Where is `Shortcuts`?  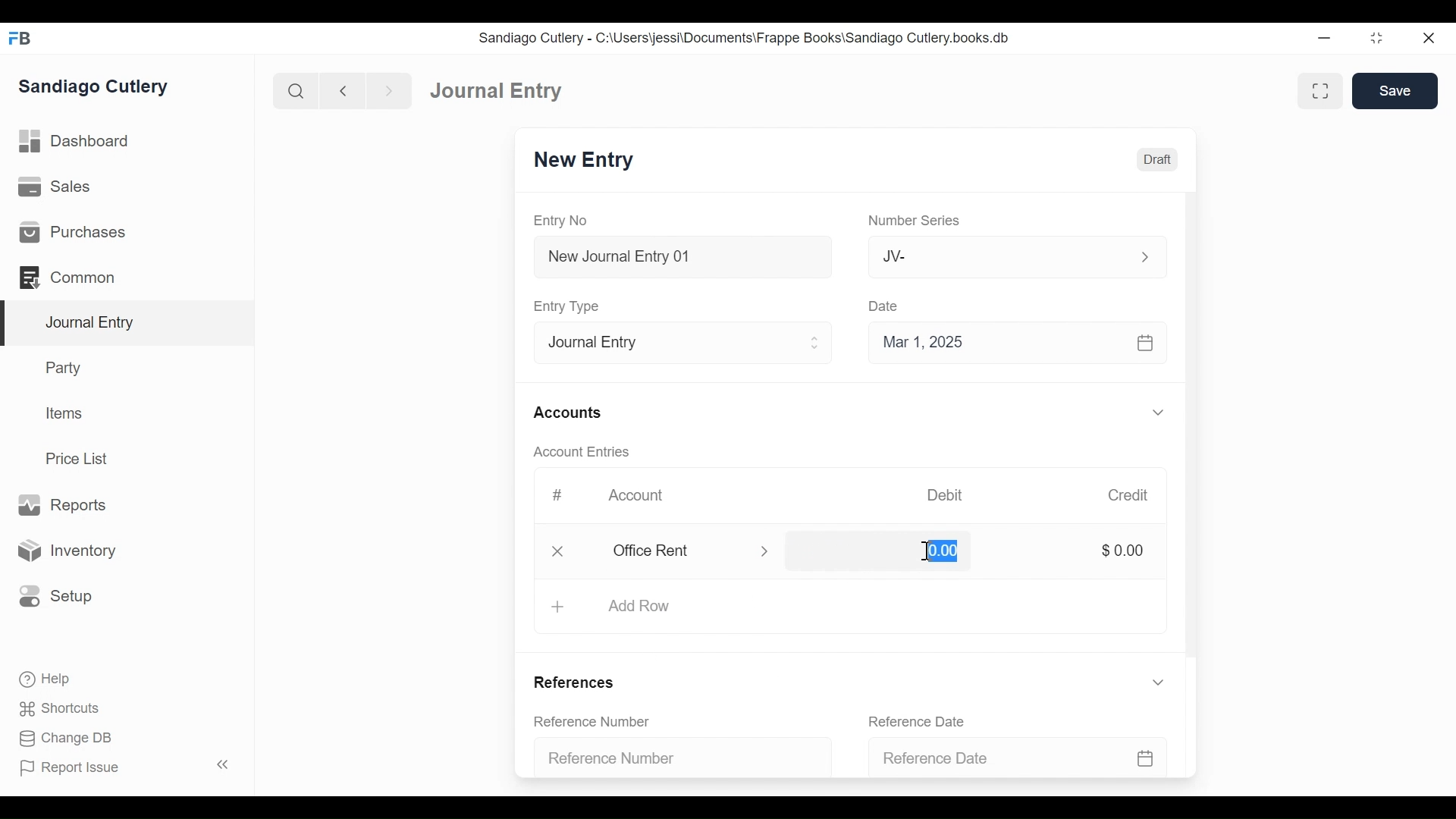
Shortcuts is located at coordinates (52, 709).